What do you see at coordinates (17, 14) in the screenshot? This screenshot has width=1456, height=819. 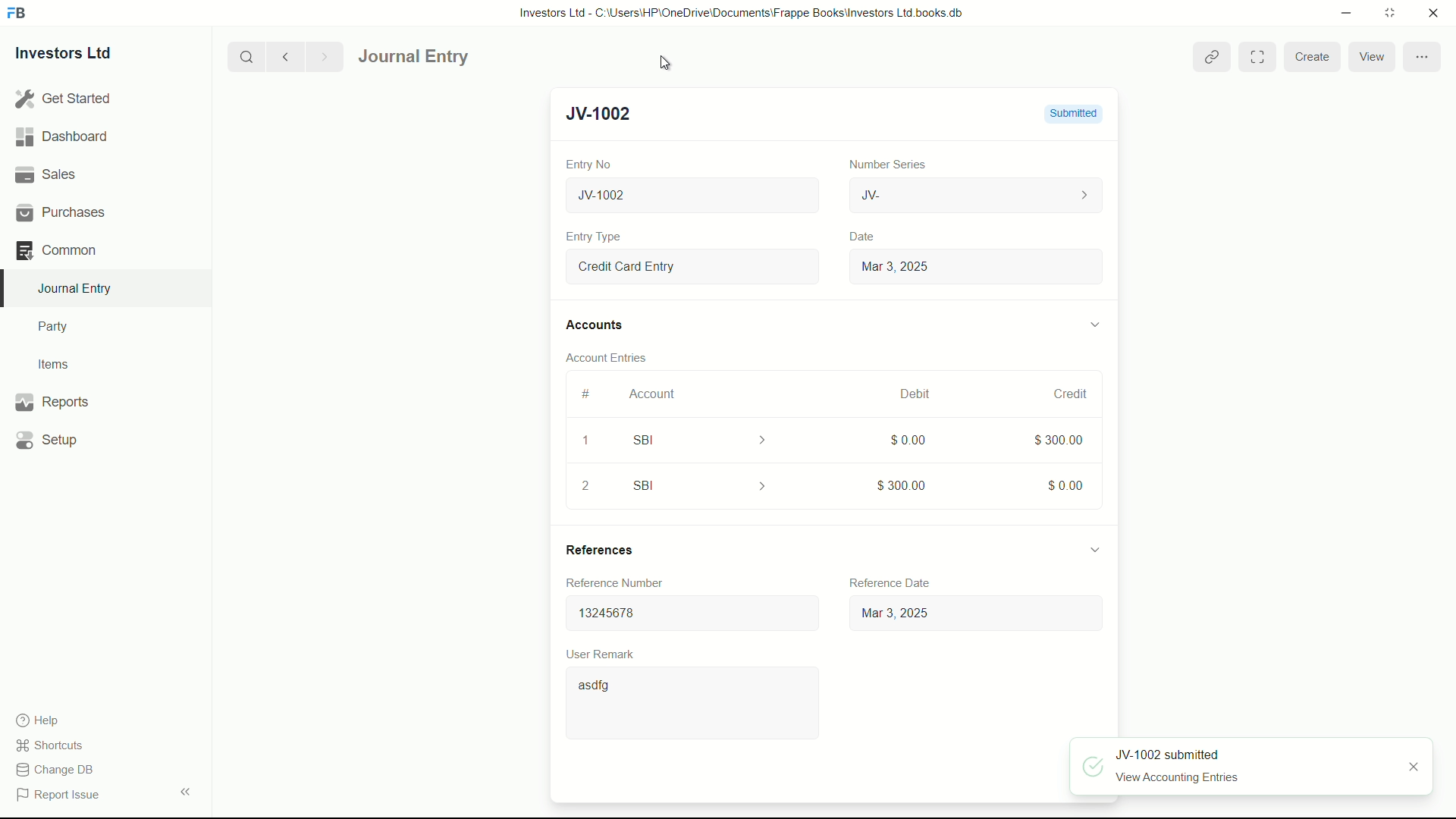 I see `FrappeBooks logo` at bounding box center [17, 14].